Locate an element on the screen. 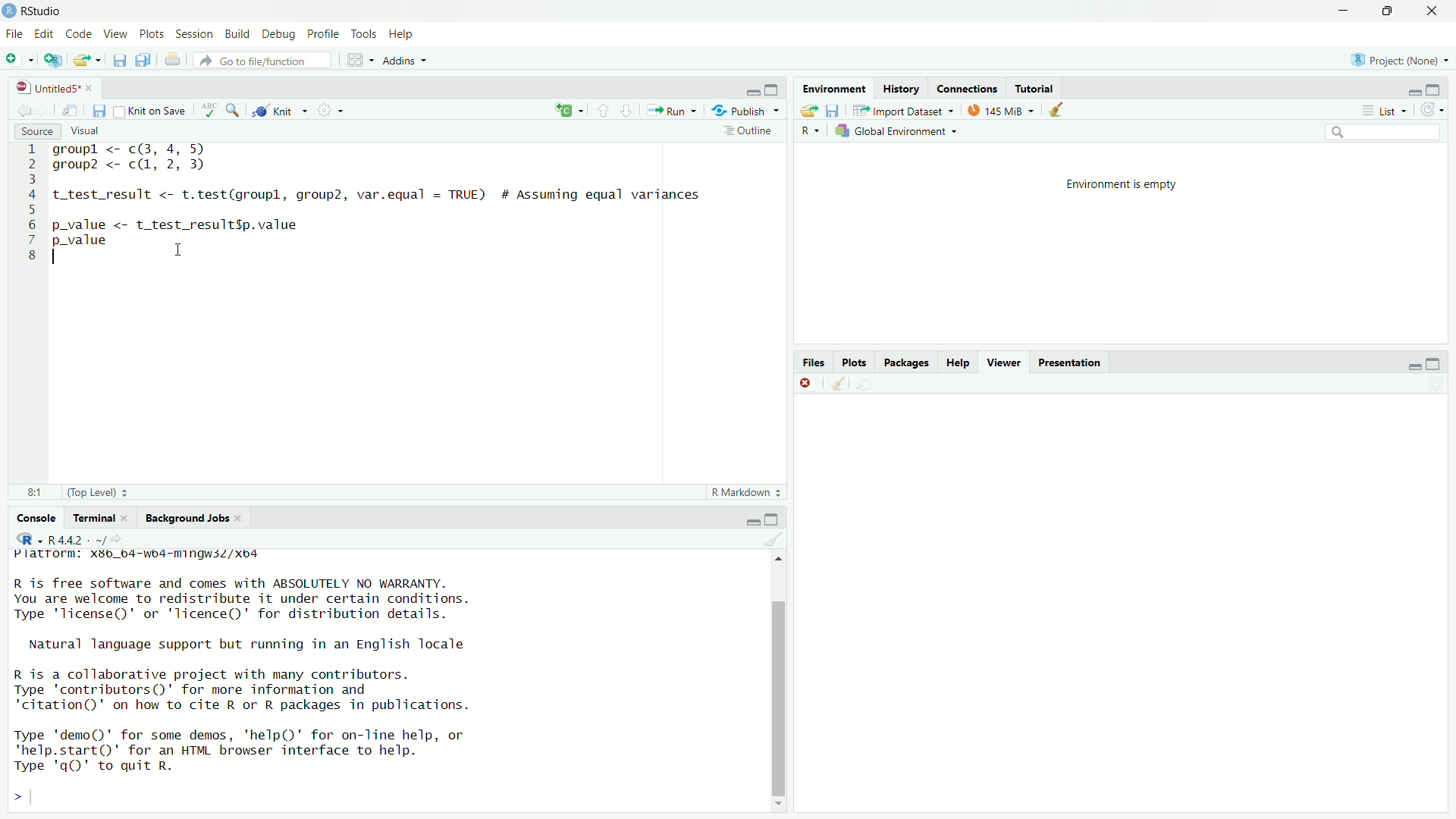 The height and width of the screenshot is (819, 1456). save all open document is located at coordinates (141, 58).